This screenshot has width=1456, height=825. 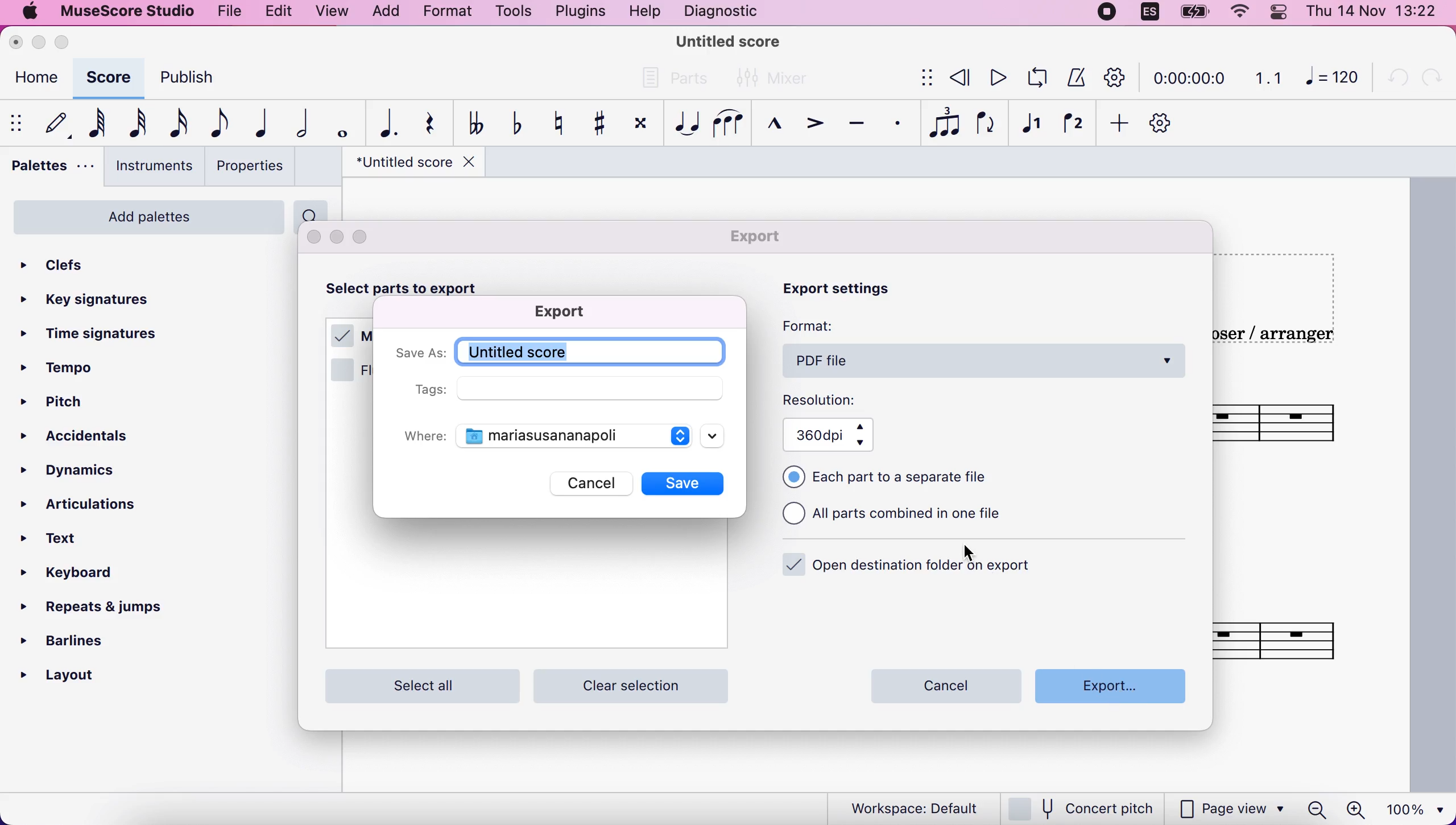 What do you see at coordinates (422, 434) in the screenshot?
I see `where` at bounding box center [422, 434].